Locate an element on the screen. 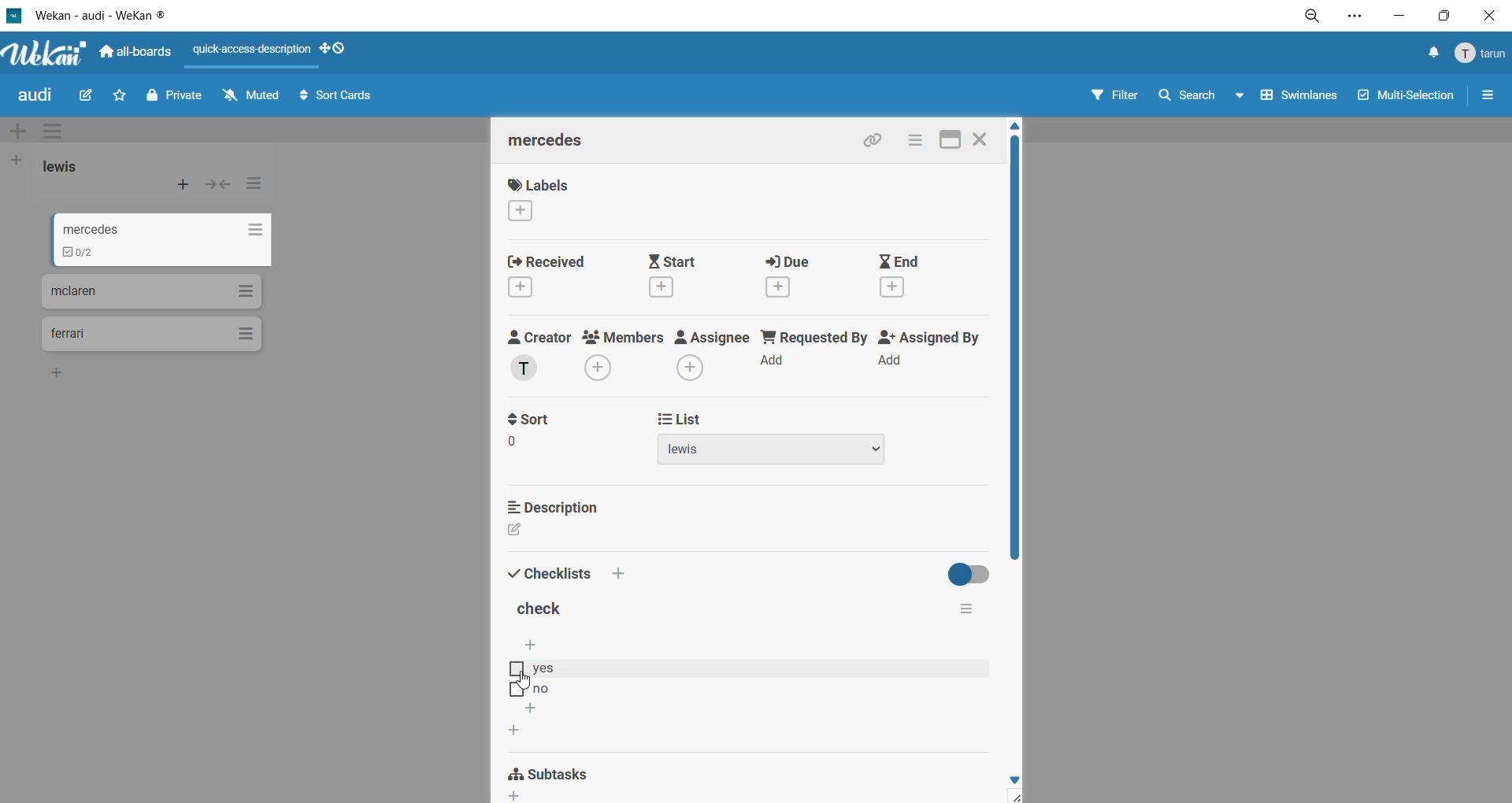 This screenshot has height=803, width=1512. muted is located at coordinates (255, 100).